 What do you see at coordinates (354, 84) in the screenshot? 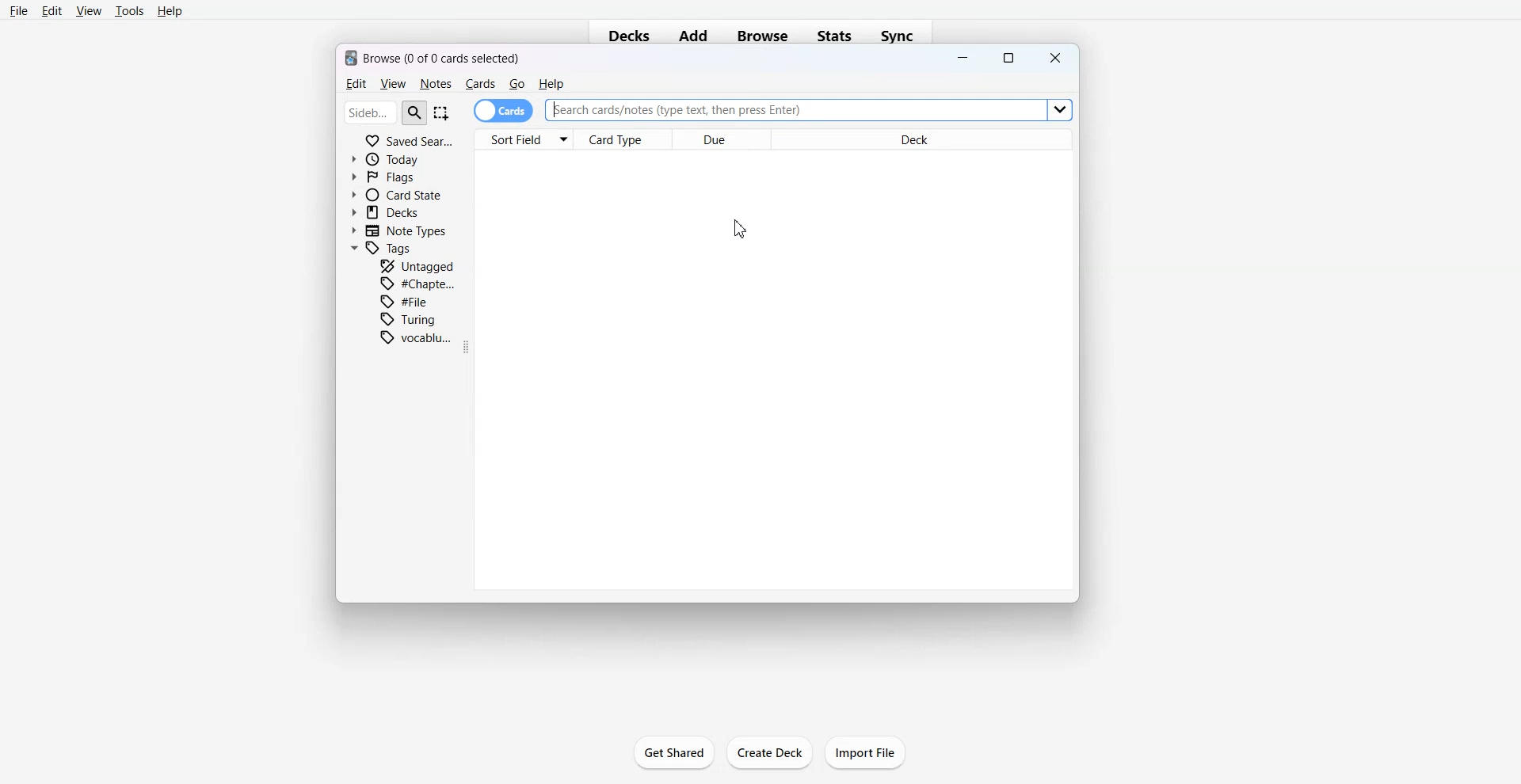
I see `Edit` at bounding box center [354, 84].